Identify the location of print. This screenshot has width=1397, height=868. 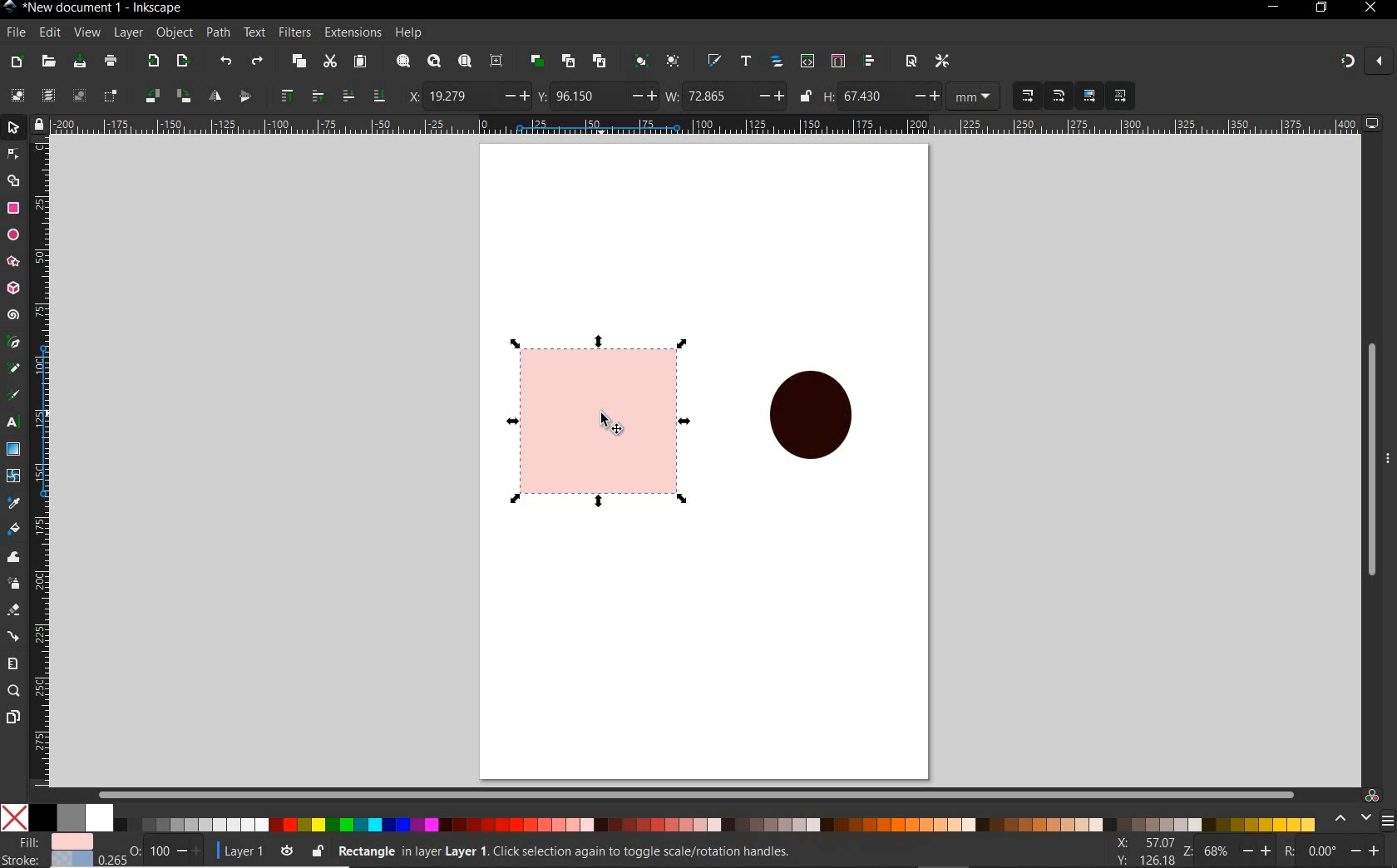
(111, 61).